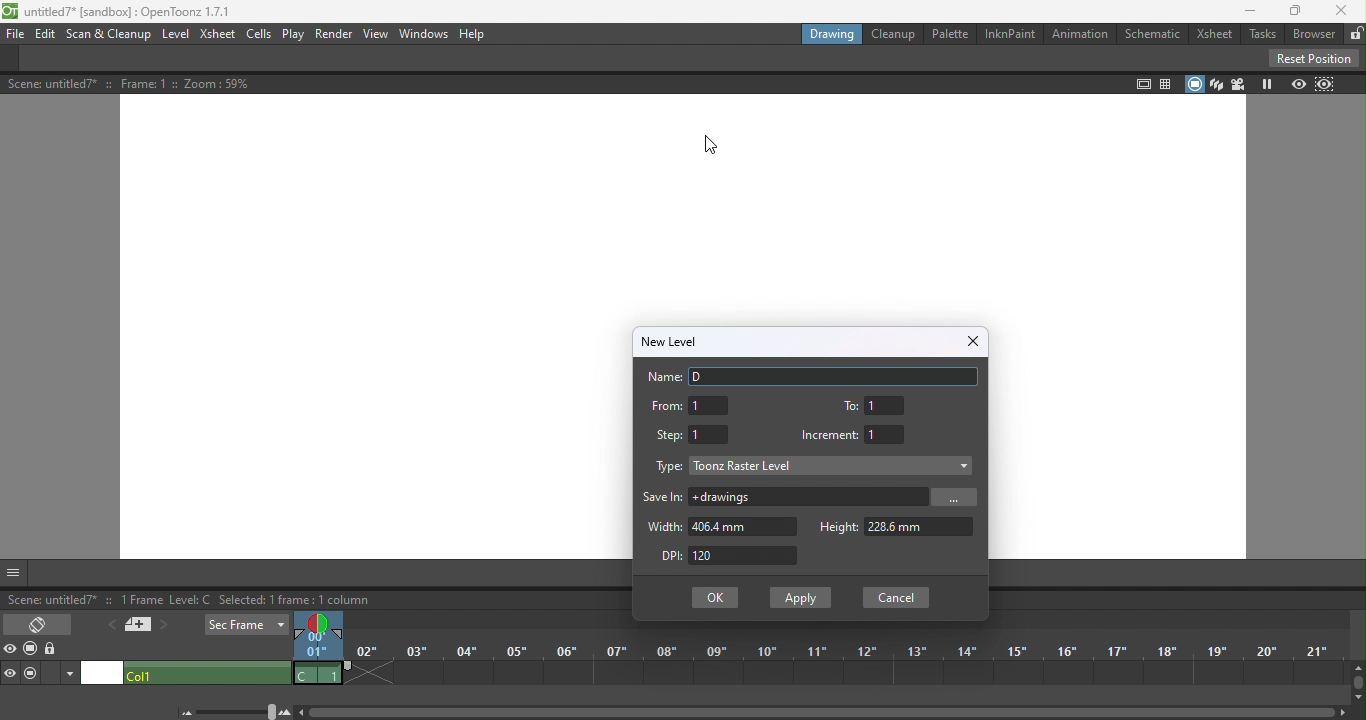 Image resolution: width=1366 pixels, height=720 pixels. Describe the element at coordinates (719, 527) in the screenshot. I see `Width` at that location.